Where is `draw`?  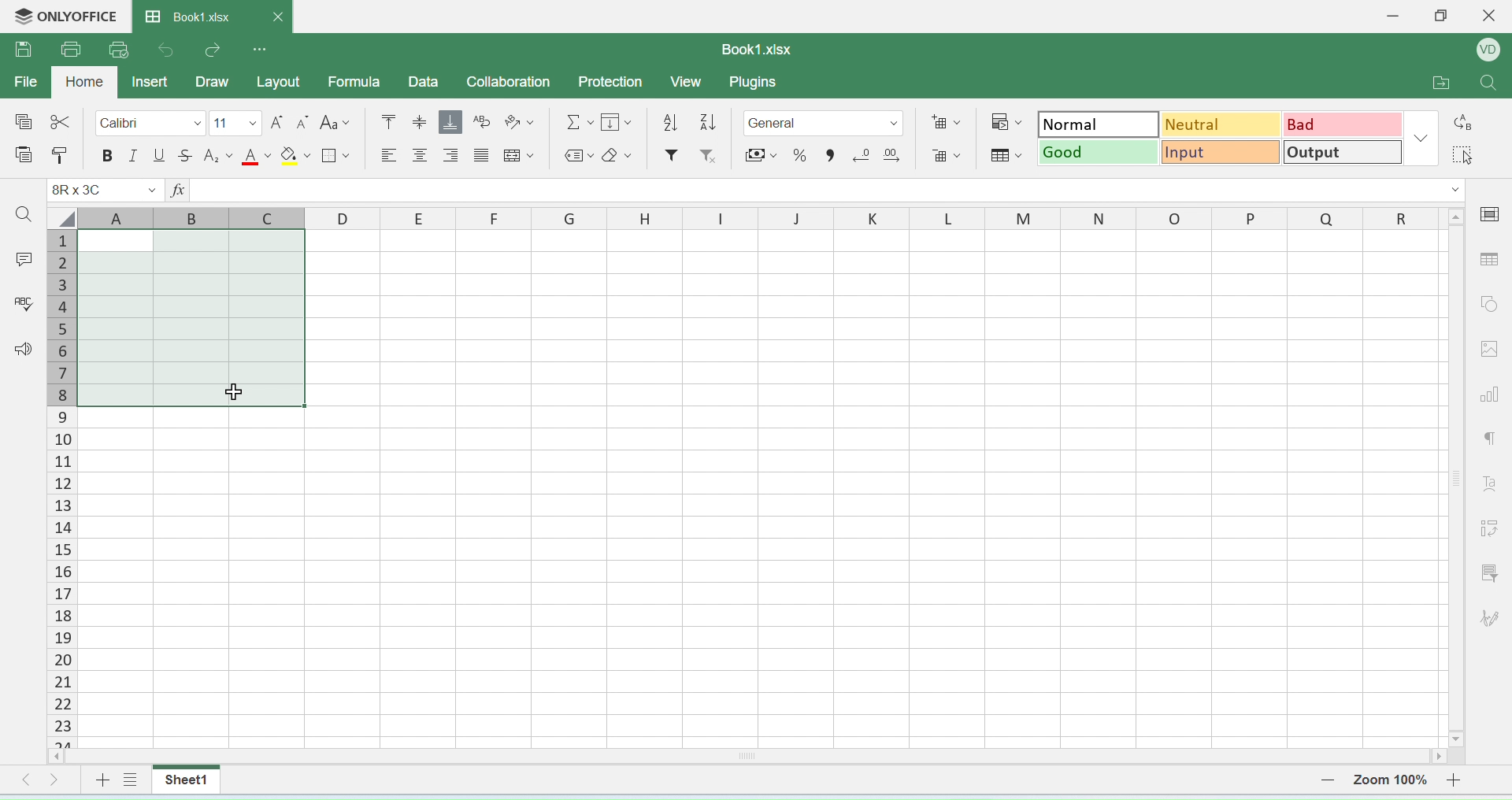
draw is located at coordinates (213, 80).